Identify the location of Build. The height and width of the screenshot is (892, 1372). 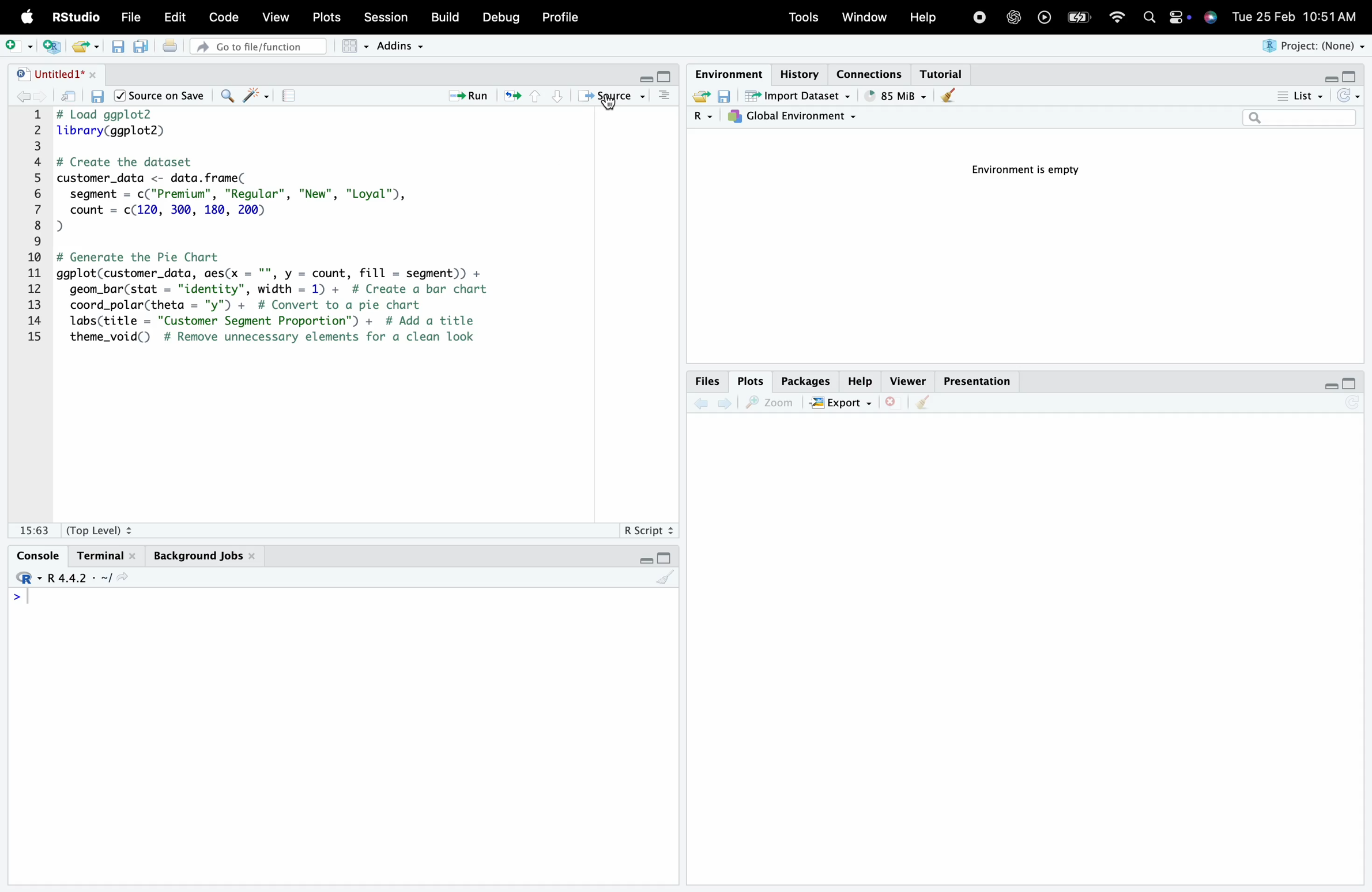
(448, 16).